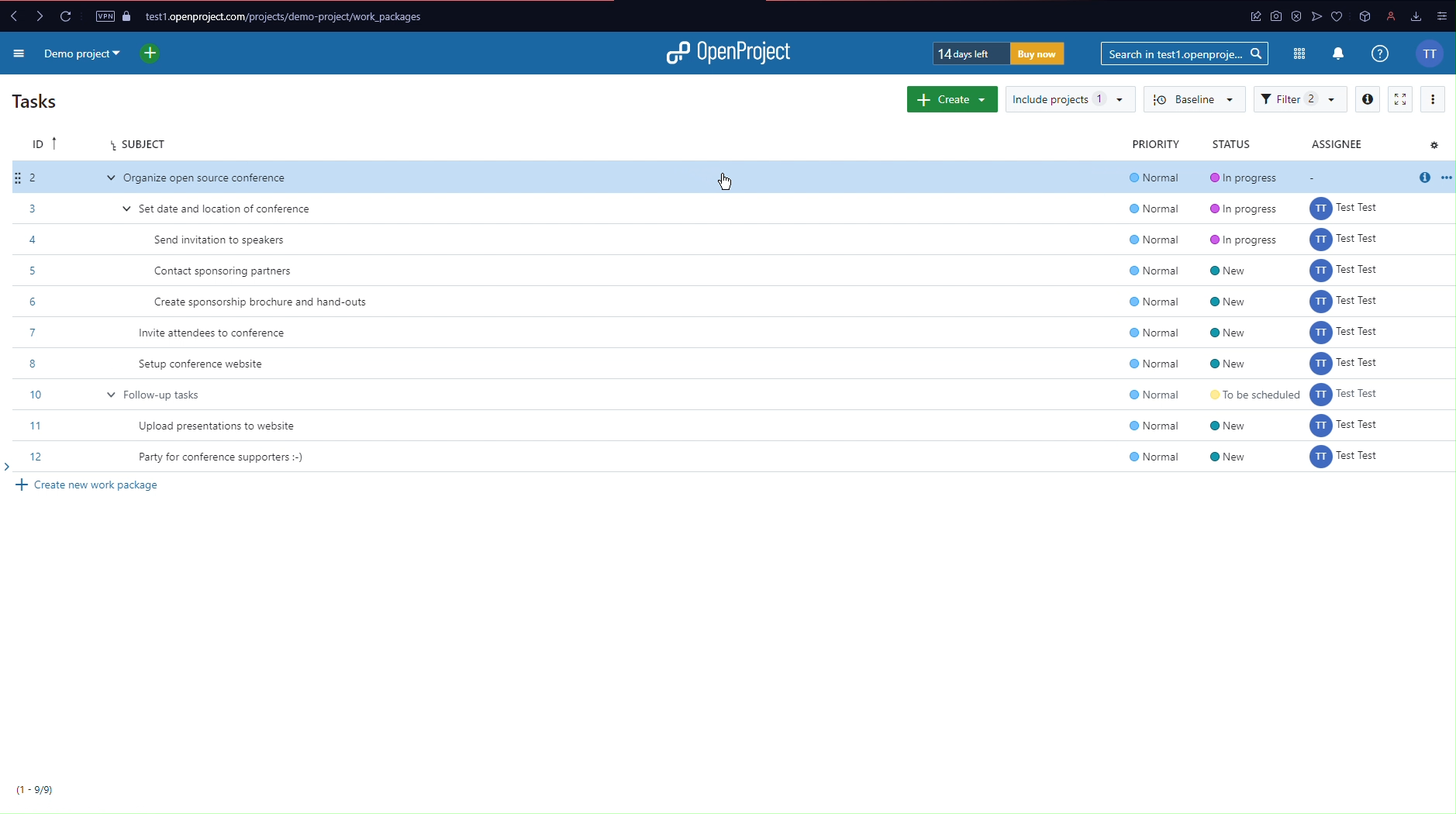 The image size is (1456, 814). Describe the element at coordinates (38, 790) in the screenshot. I see `9/9` at that location.